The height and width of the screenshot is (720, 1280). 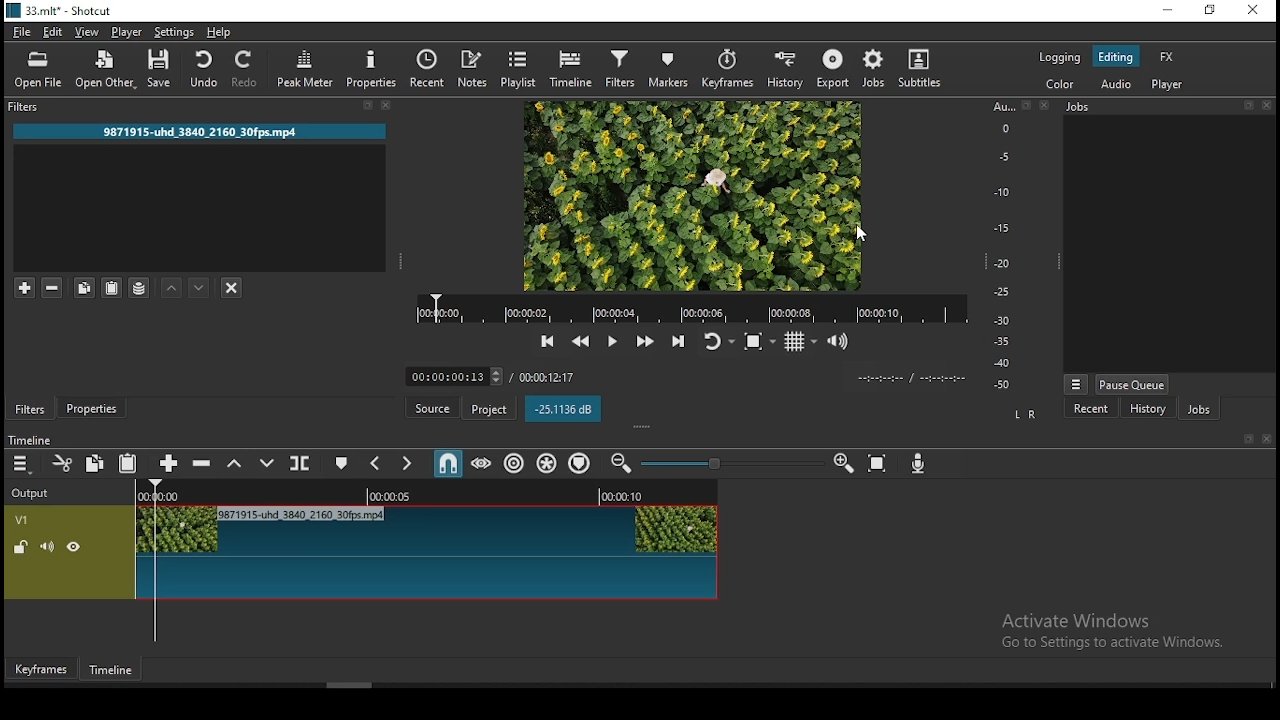 What do you see at coordinates (799, 346) in the screenshot?
I see `toggle grid display on player` at bounding box center [799, 346].